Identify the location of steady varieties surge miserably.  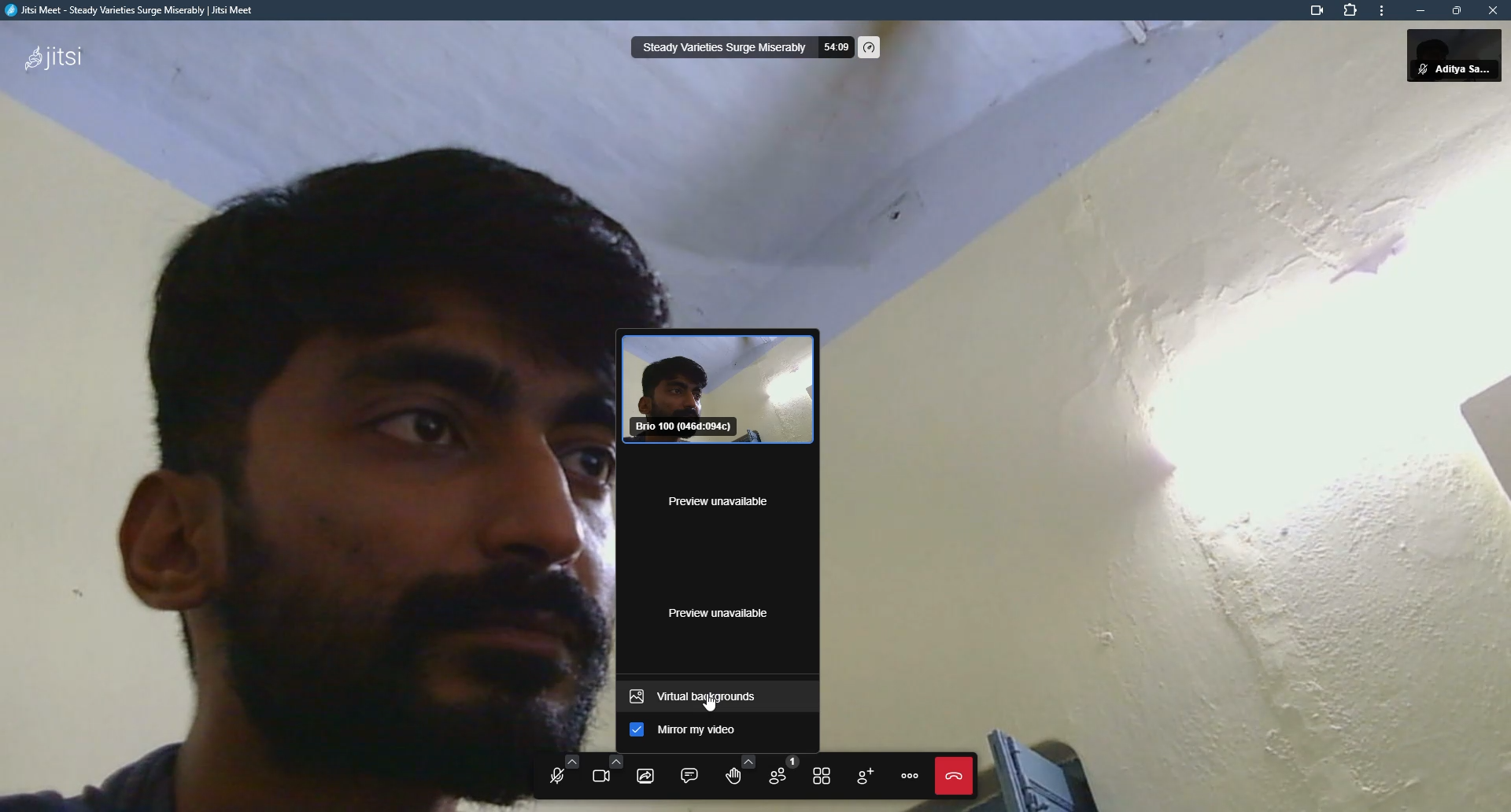
(722, 48).